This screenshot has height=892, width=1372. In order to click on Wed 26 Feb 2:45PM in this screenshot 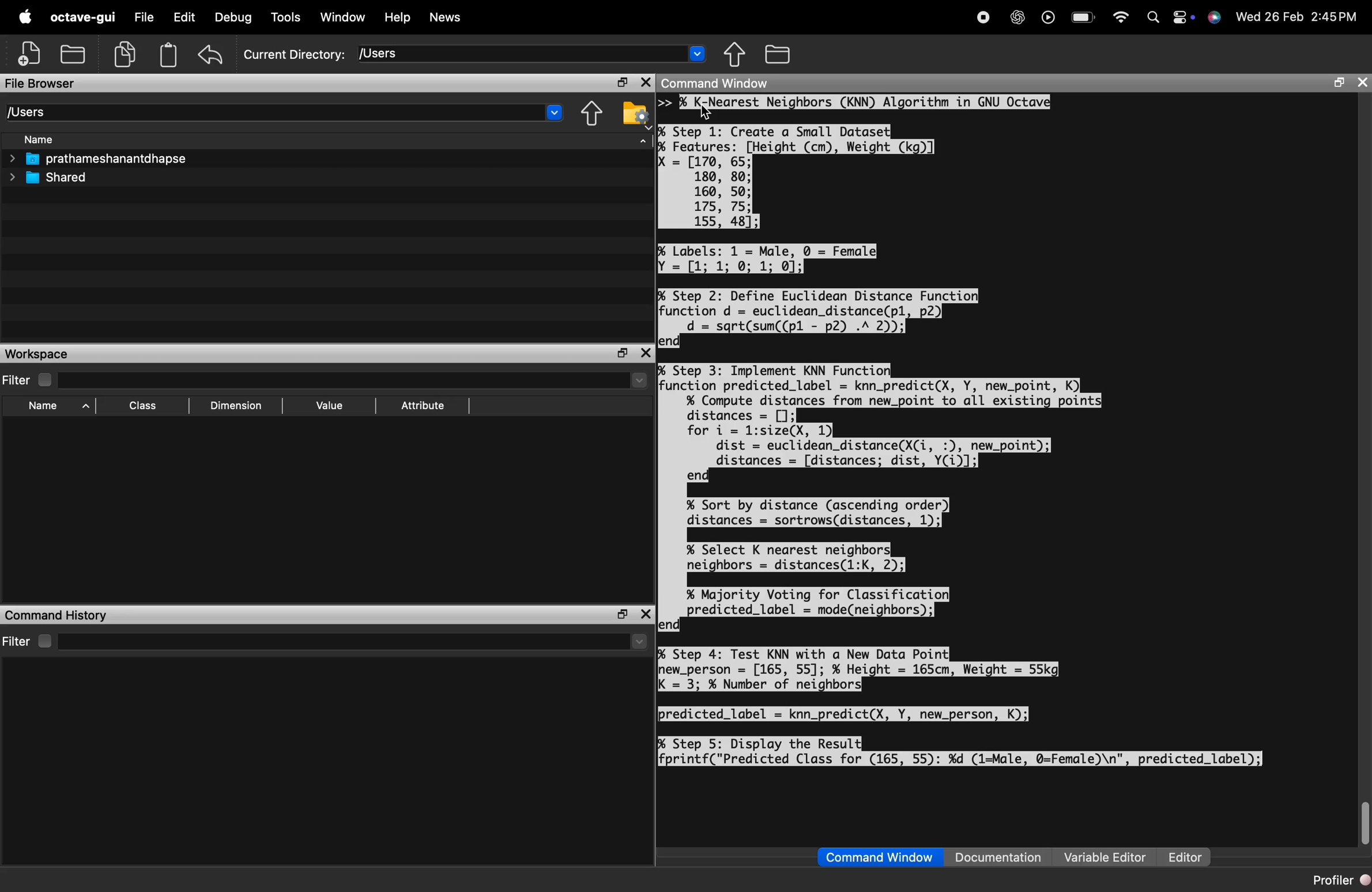, I will do `click(1297, 17)`.